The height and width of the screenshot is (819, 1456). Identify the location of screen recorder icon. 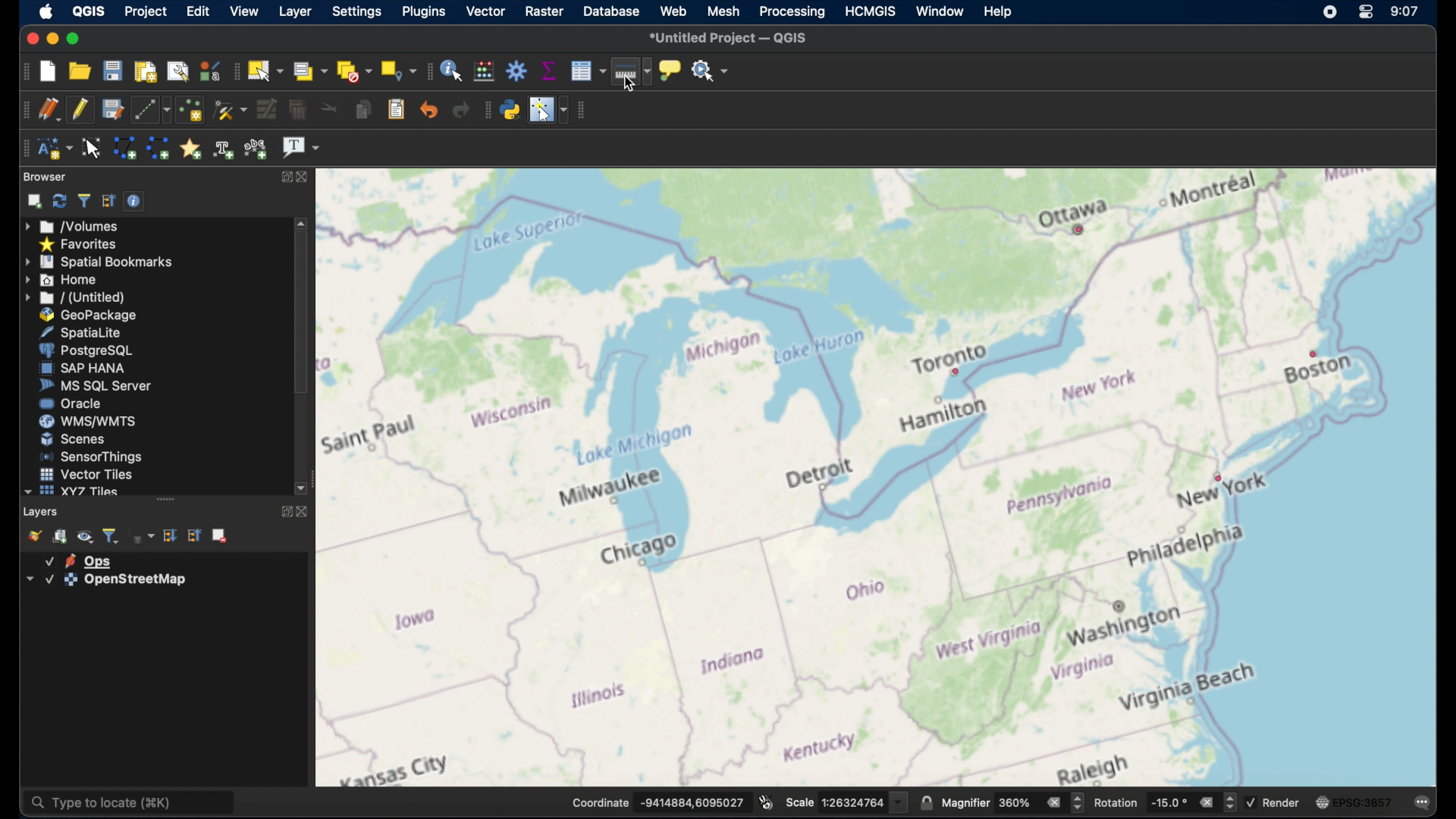
(1329, 12).